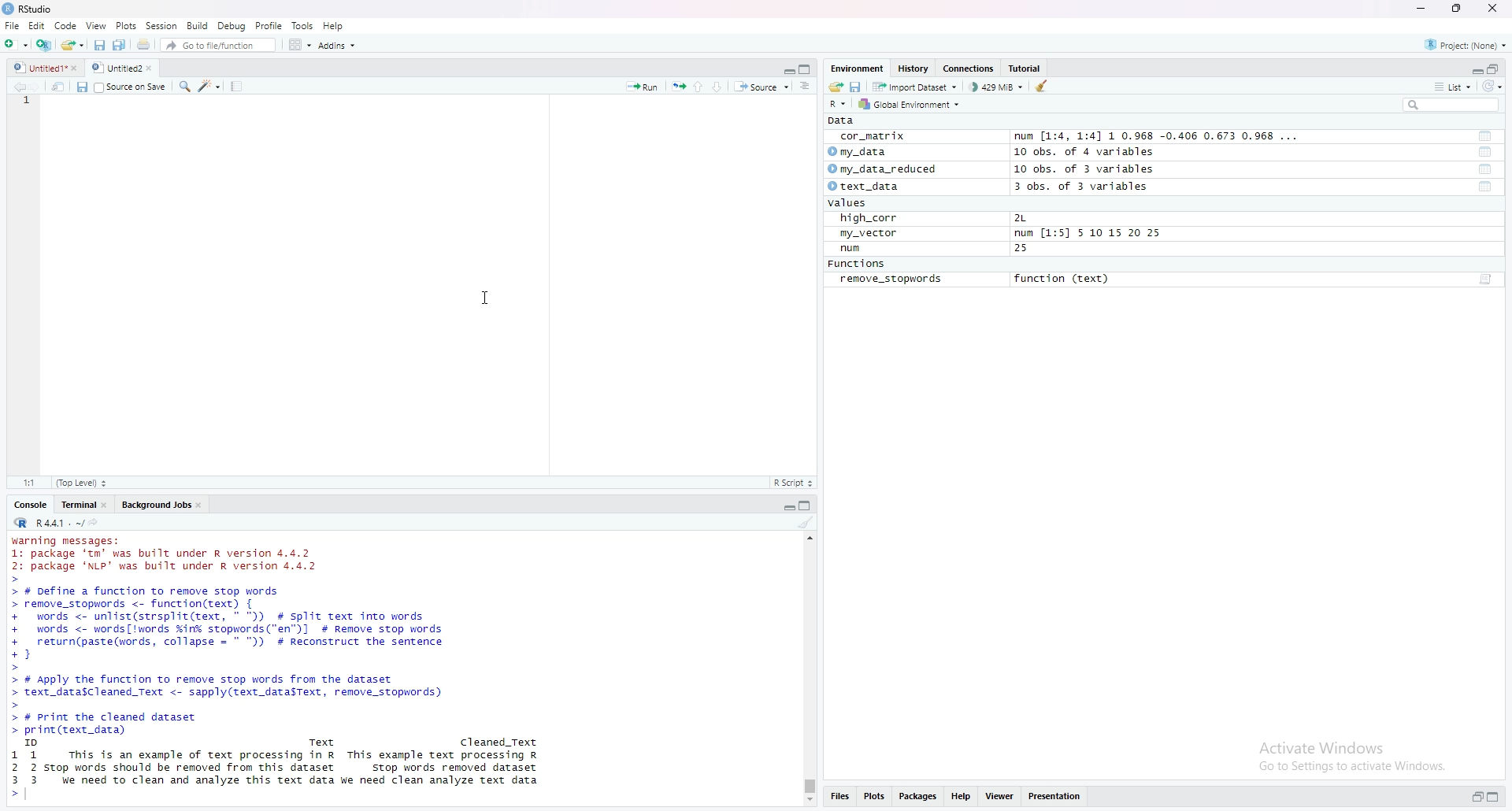  What do you see at coordinates (337, 45) in the screenshot?
I see `Addins ` at bounding box center [337, 45].